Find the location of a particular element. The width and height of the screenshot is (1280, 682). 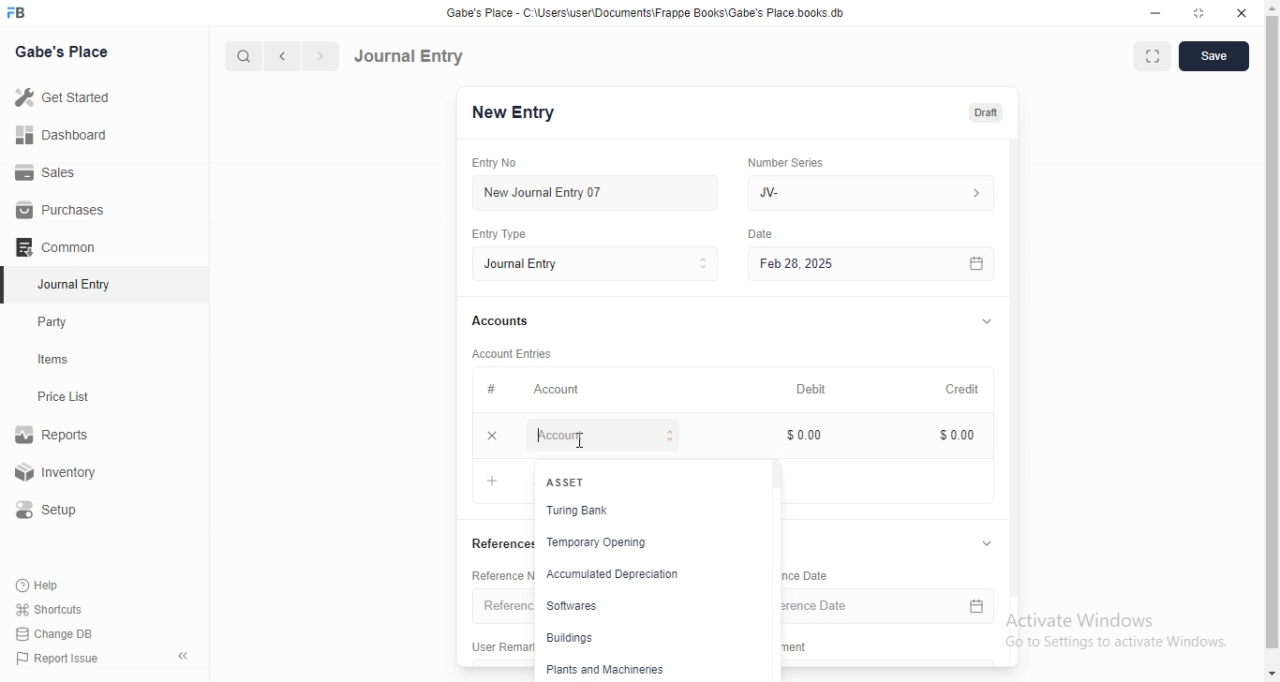

Reports. is located at coordinates (55, 438).